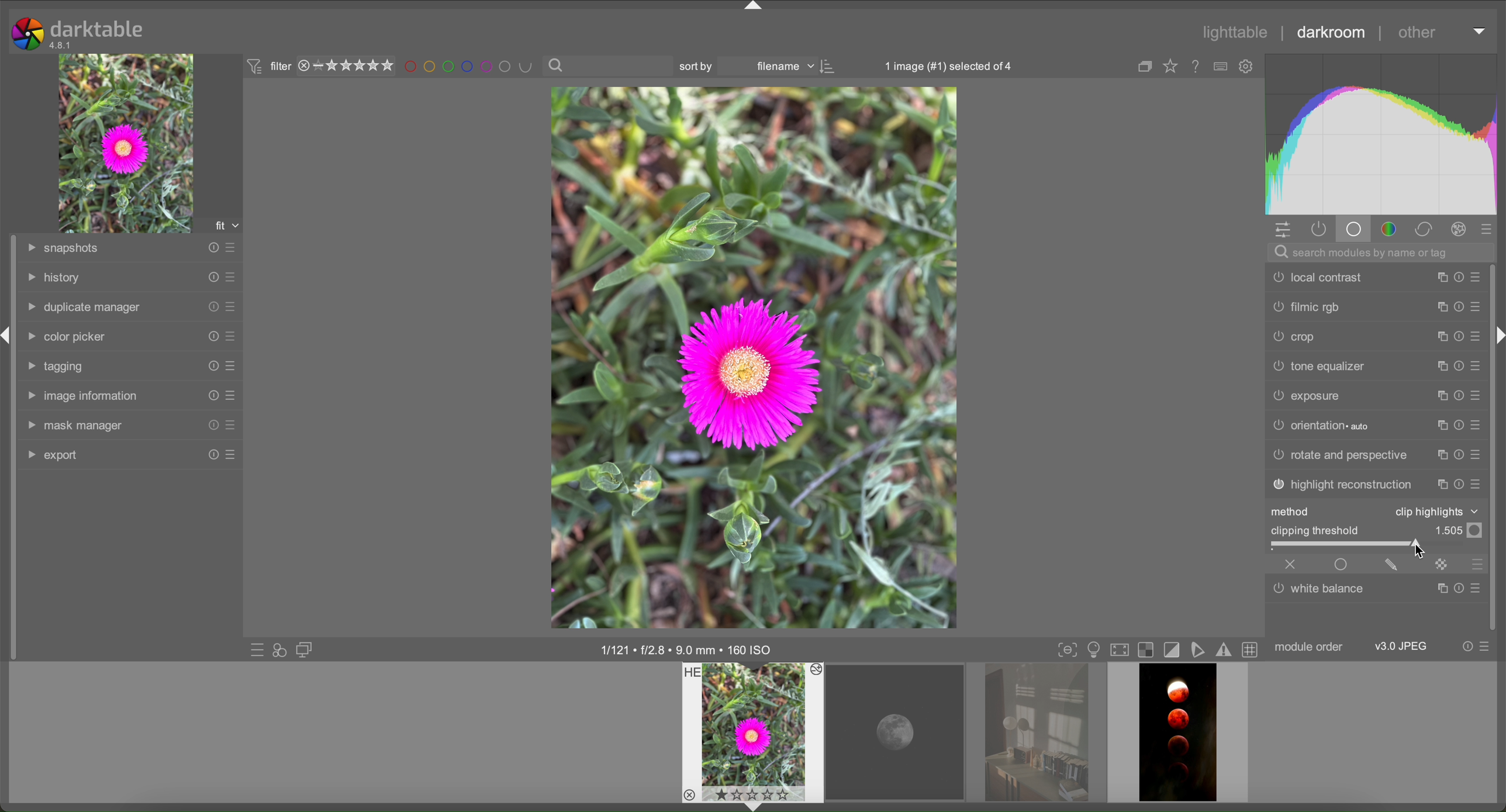 The height and width of the screenshot is (812, 1506). I want to click on active modules, so click(1318, 229).